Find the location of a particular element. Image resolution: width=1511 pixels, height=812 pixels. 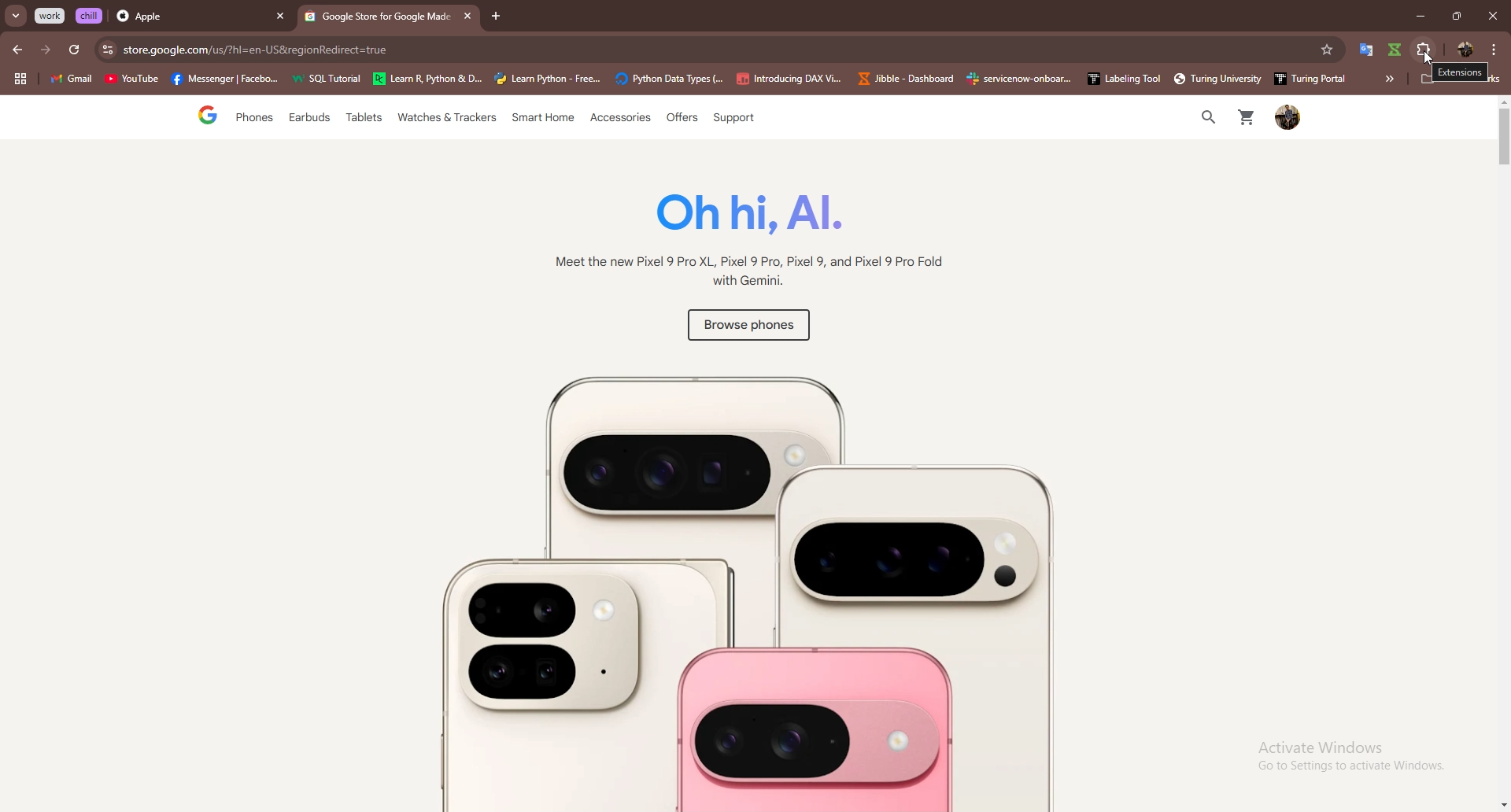

close is located at coordinates (1492, 16).